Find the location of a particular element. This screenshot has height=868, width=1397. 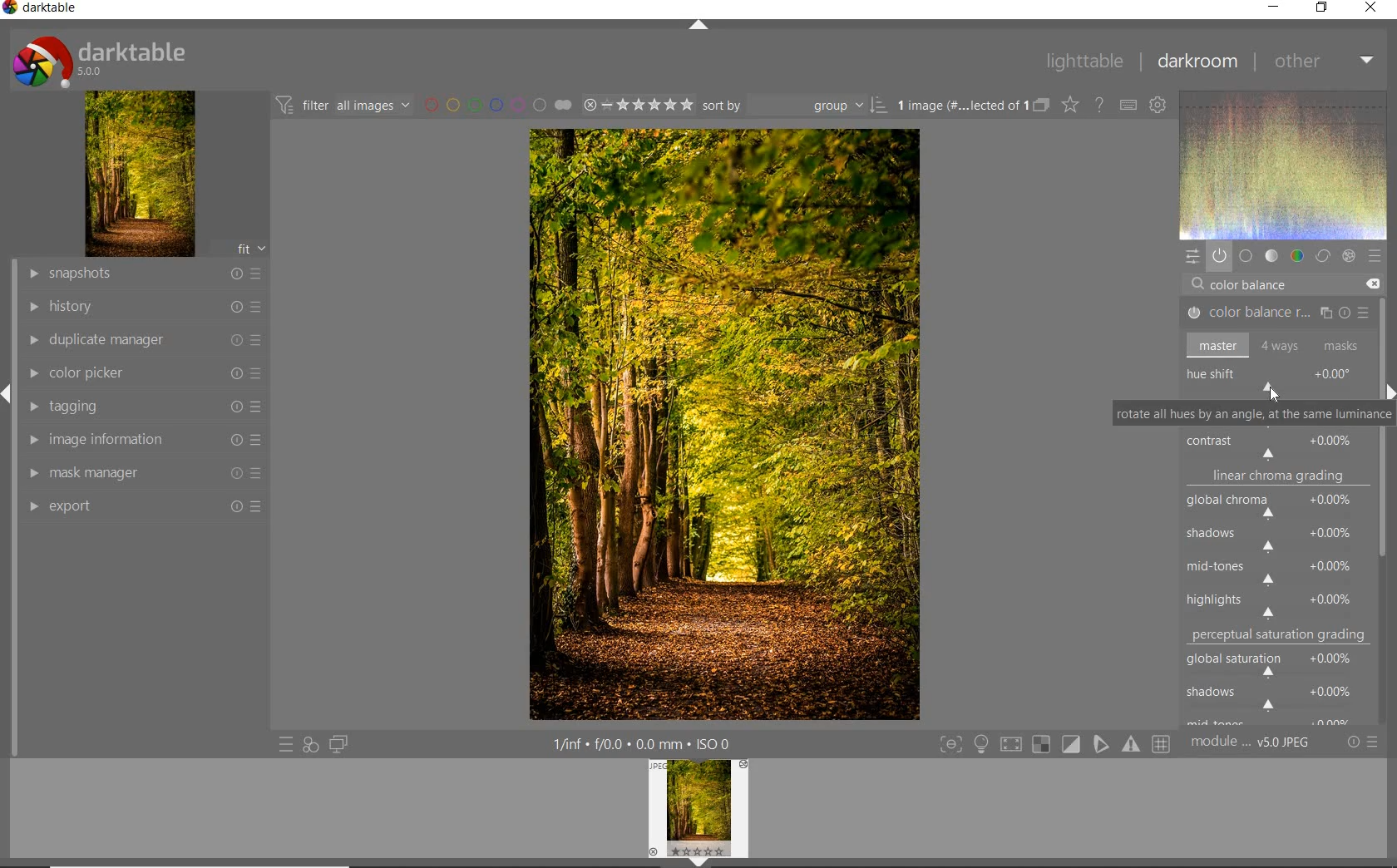

mid-tones is located at coordinates (1274, 570).